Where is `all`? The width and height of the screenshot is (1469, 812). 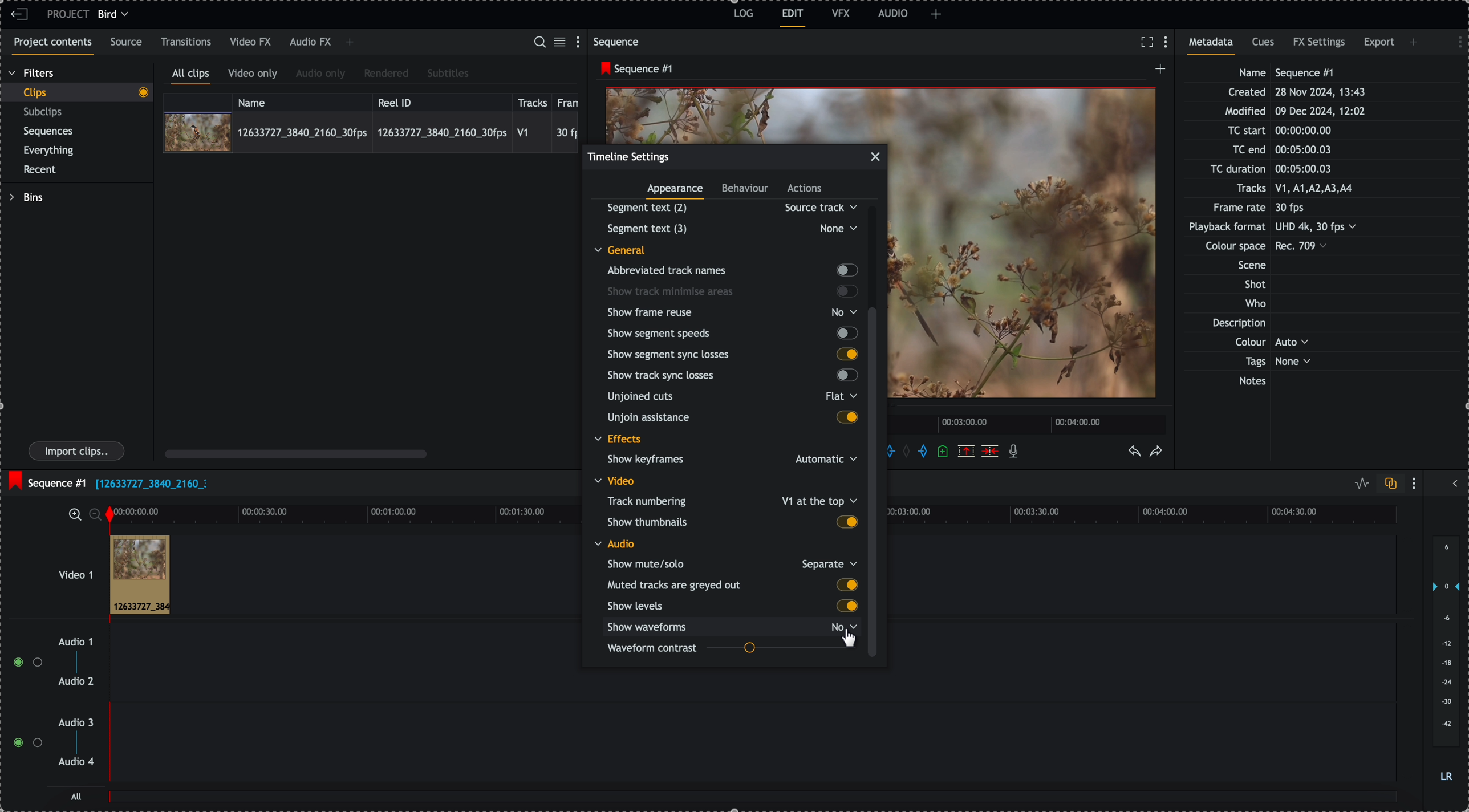
all is located at coordinates (77, 796).